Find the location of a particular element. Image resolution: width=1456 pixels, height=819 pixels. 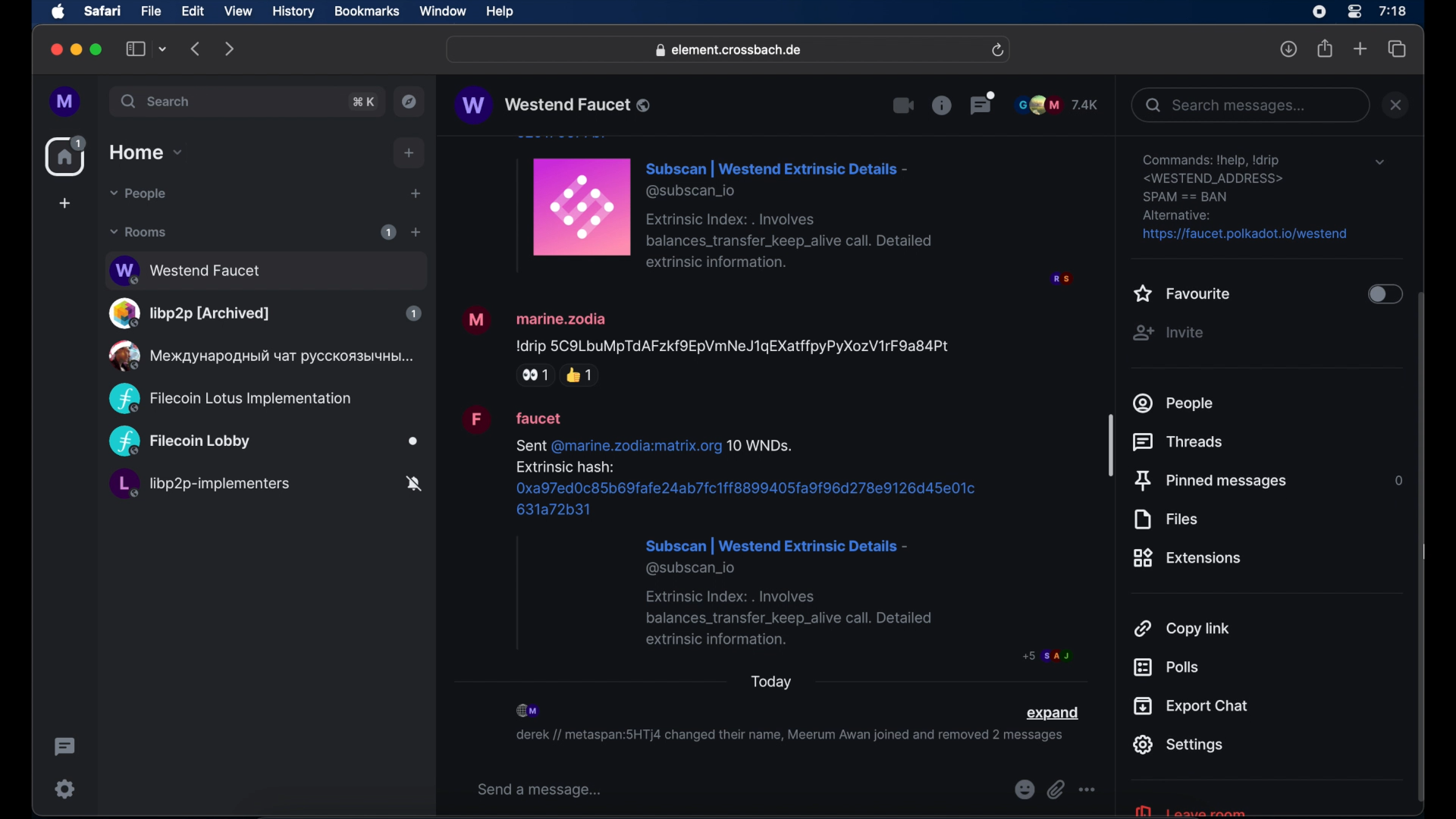

pinned messages is located at coordinates (1210, 482).